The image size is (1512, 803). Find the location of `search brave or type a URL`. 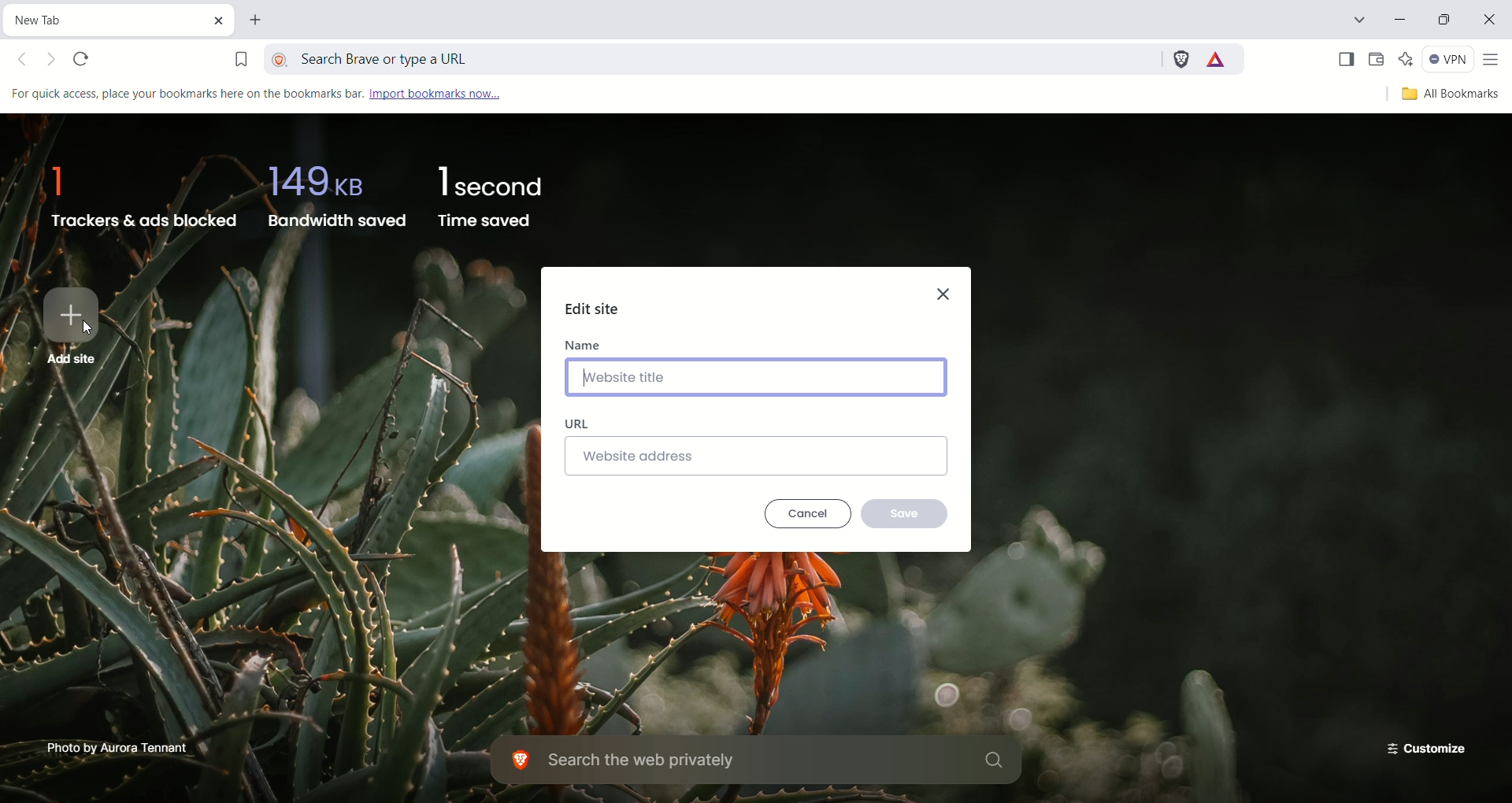

search brave or type a URL is located at coordinates (714, 56).